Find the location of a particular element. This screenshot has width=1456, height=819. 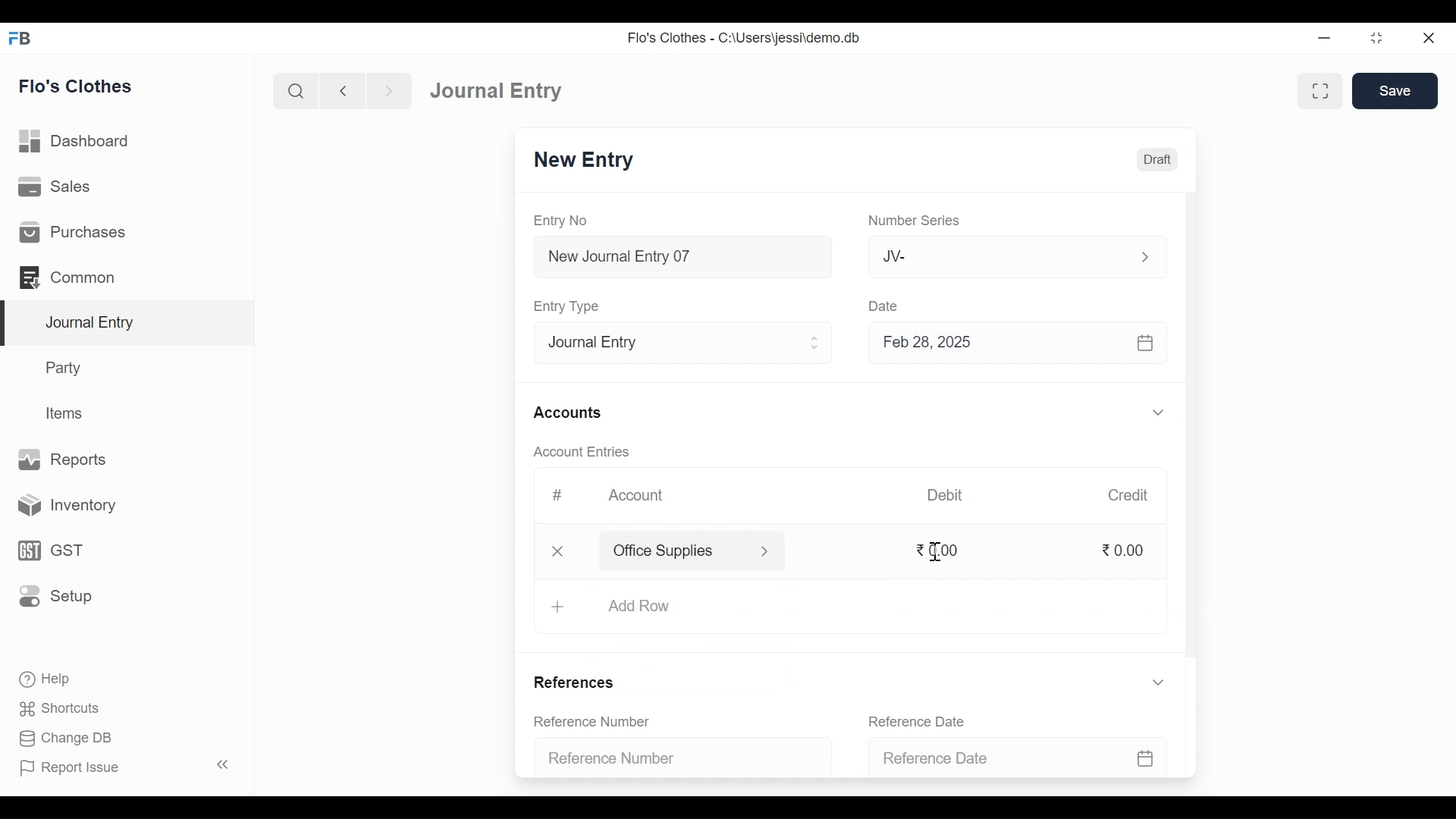

Reports is located at coordinates (64, 458).